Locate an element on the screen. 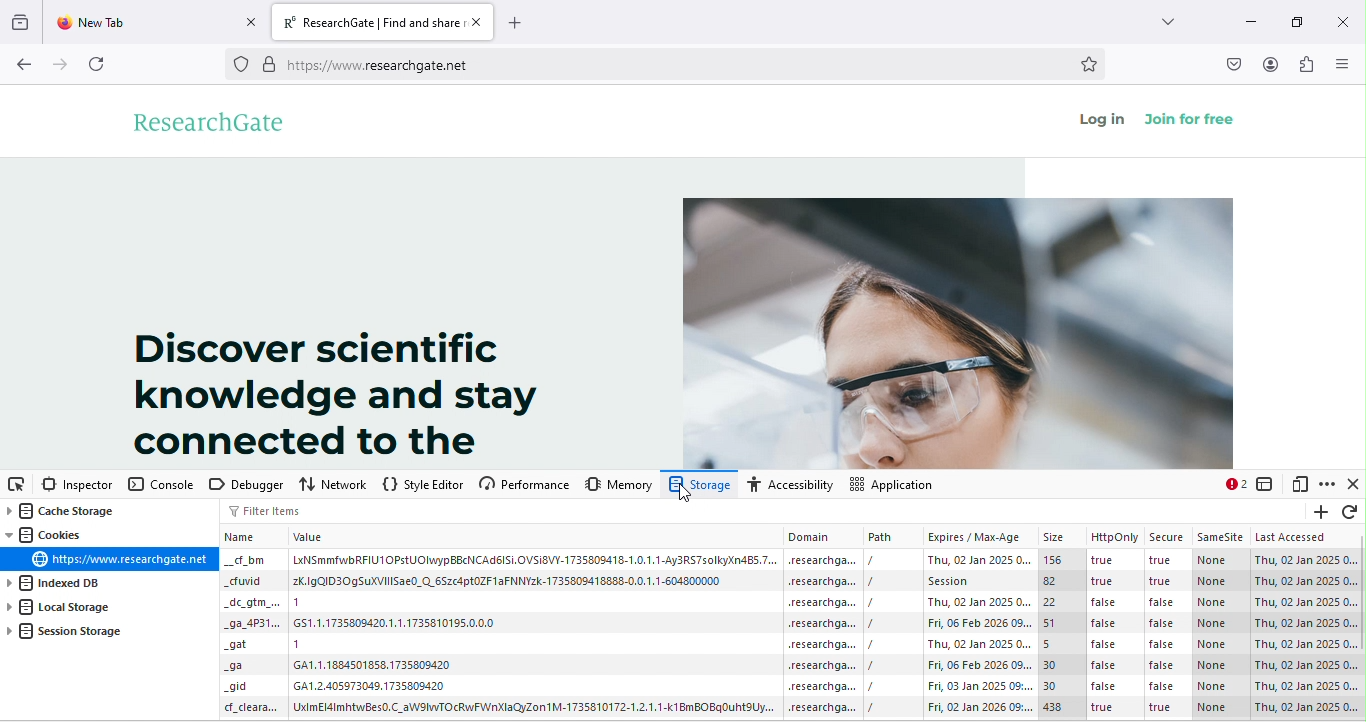 The height and width of the screenshot is (722, 1366). close is located at coordinates (1345, 17).